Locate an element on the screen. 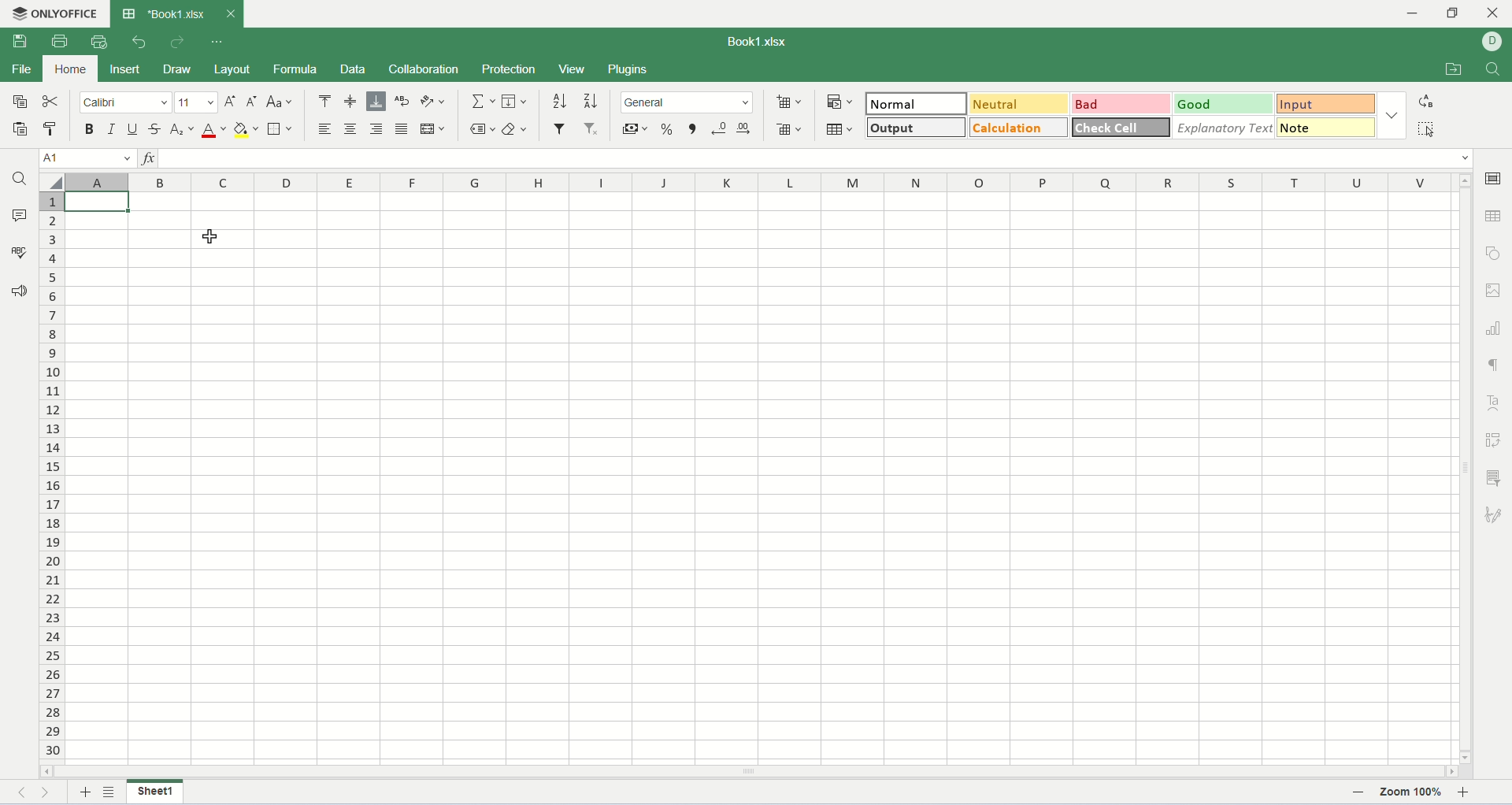 Image resolution: width=1512 pixels, height=805 pixels. remove cell is located at coordinates (792, 128).